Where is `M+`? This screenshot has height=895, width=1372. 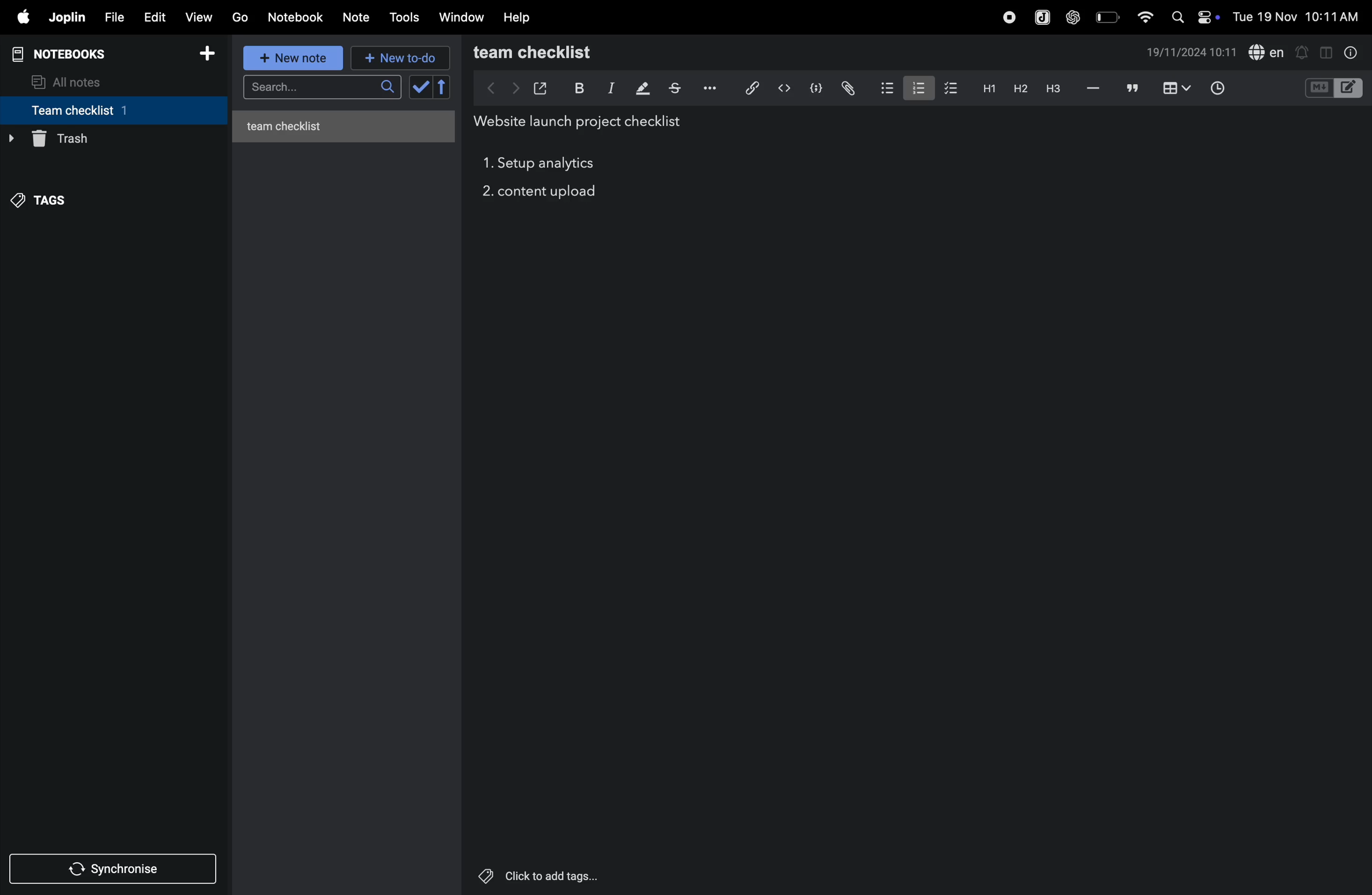
M+ is located at coordinates (1318, 88).